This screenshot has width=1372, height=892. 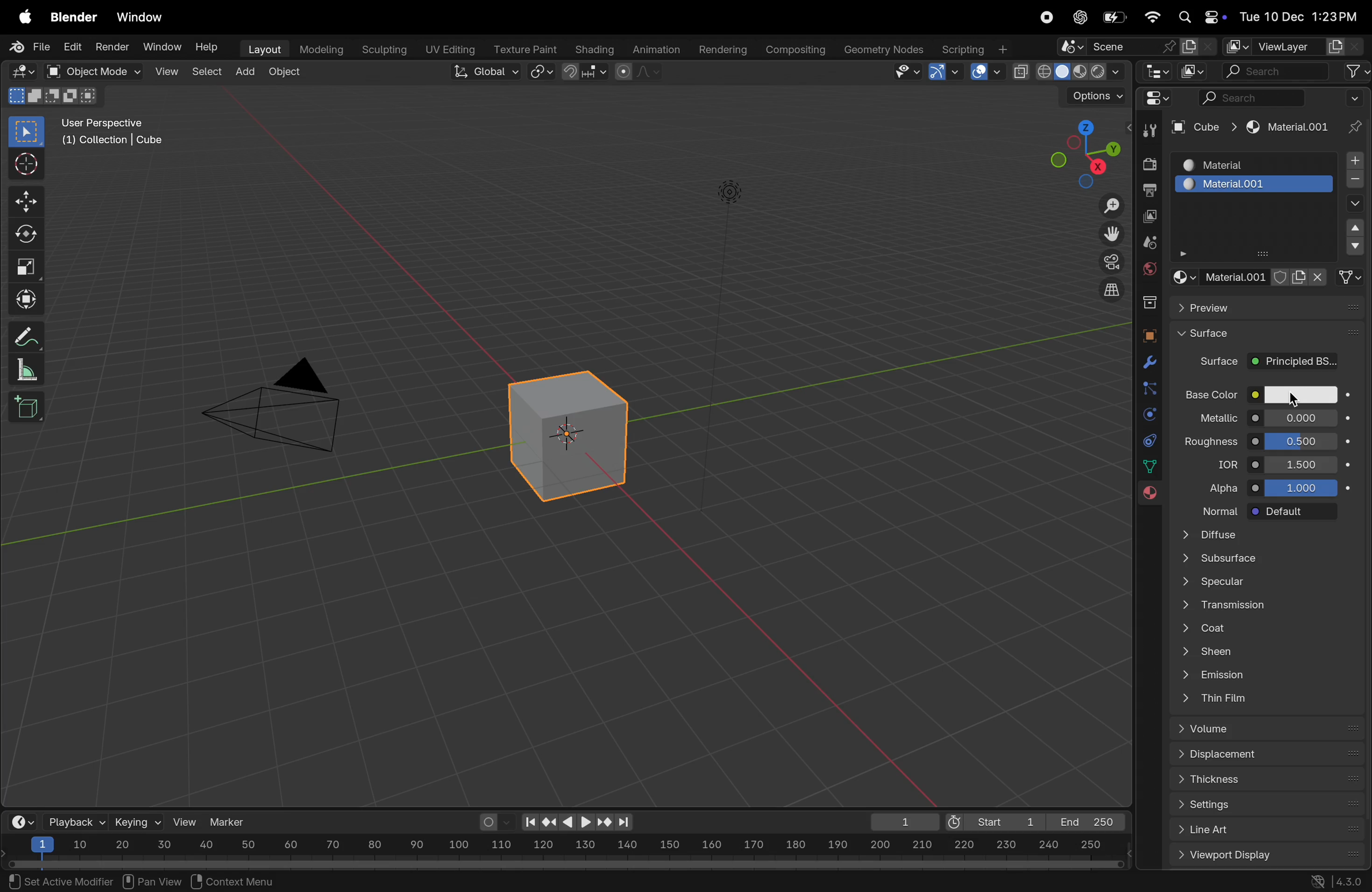 What do you see at coordinates (205, 71) in the screenshot?
I see `select` at bounding box center [205, 71].